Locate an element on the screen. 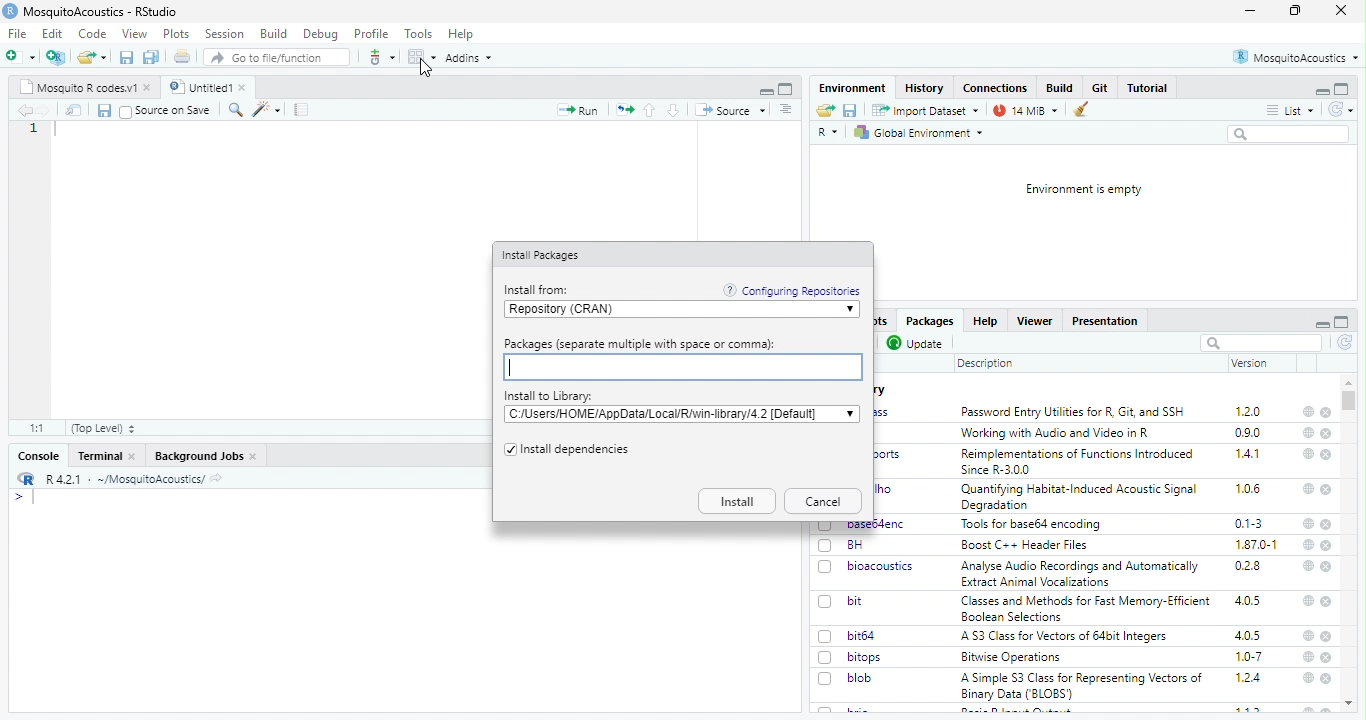 The image size is (1366, 720). save is located at coordinates (104, 111).